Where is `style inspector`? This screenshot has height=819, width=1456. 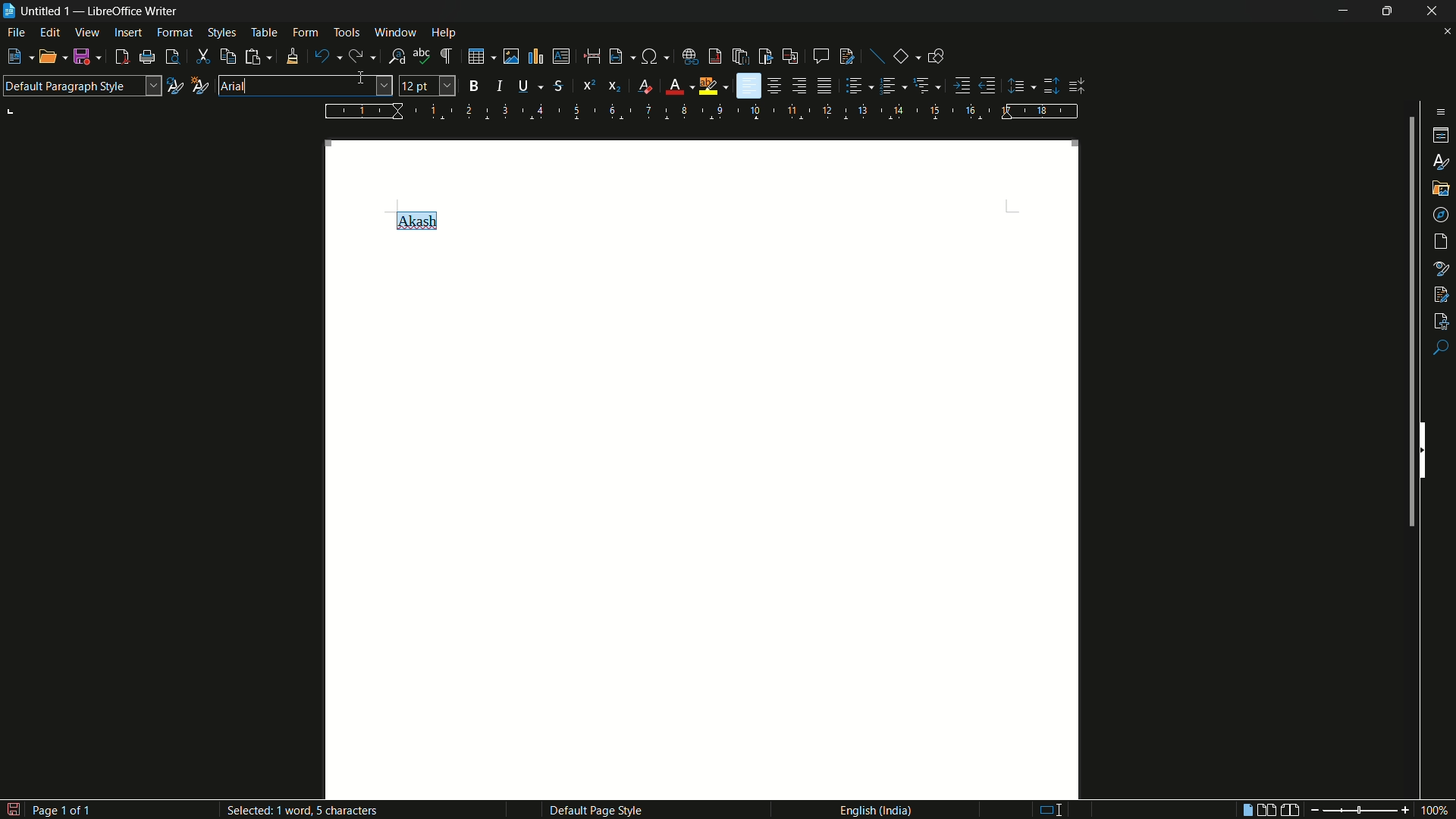 style inspector is located at coordinates (1442, 267).